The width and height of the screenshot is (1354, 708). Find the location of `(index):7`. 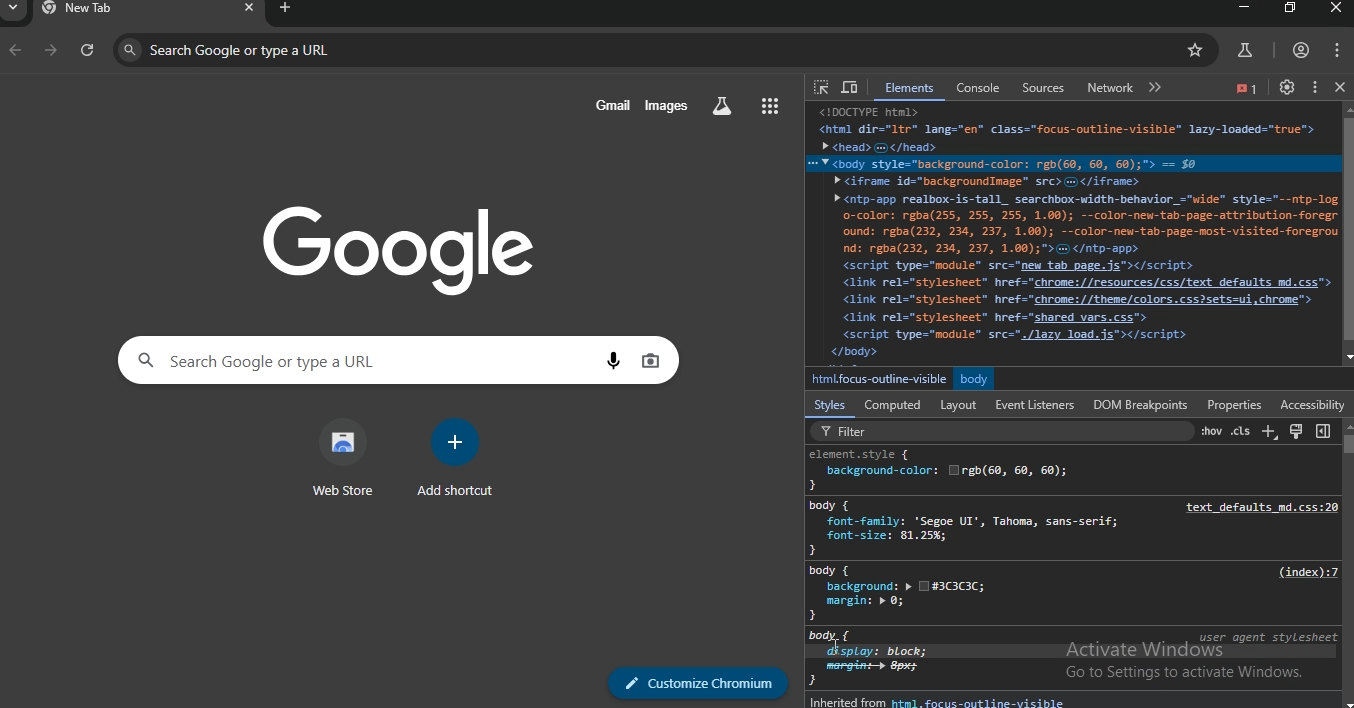

(index):7 is located at coordinates (1306, 573).